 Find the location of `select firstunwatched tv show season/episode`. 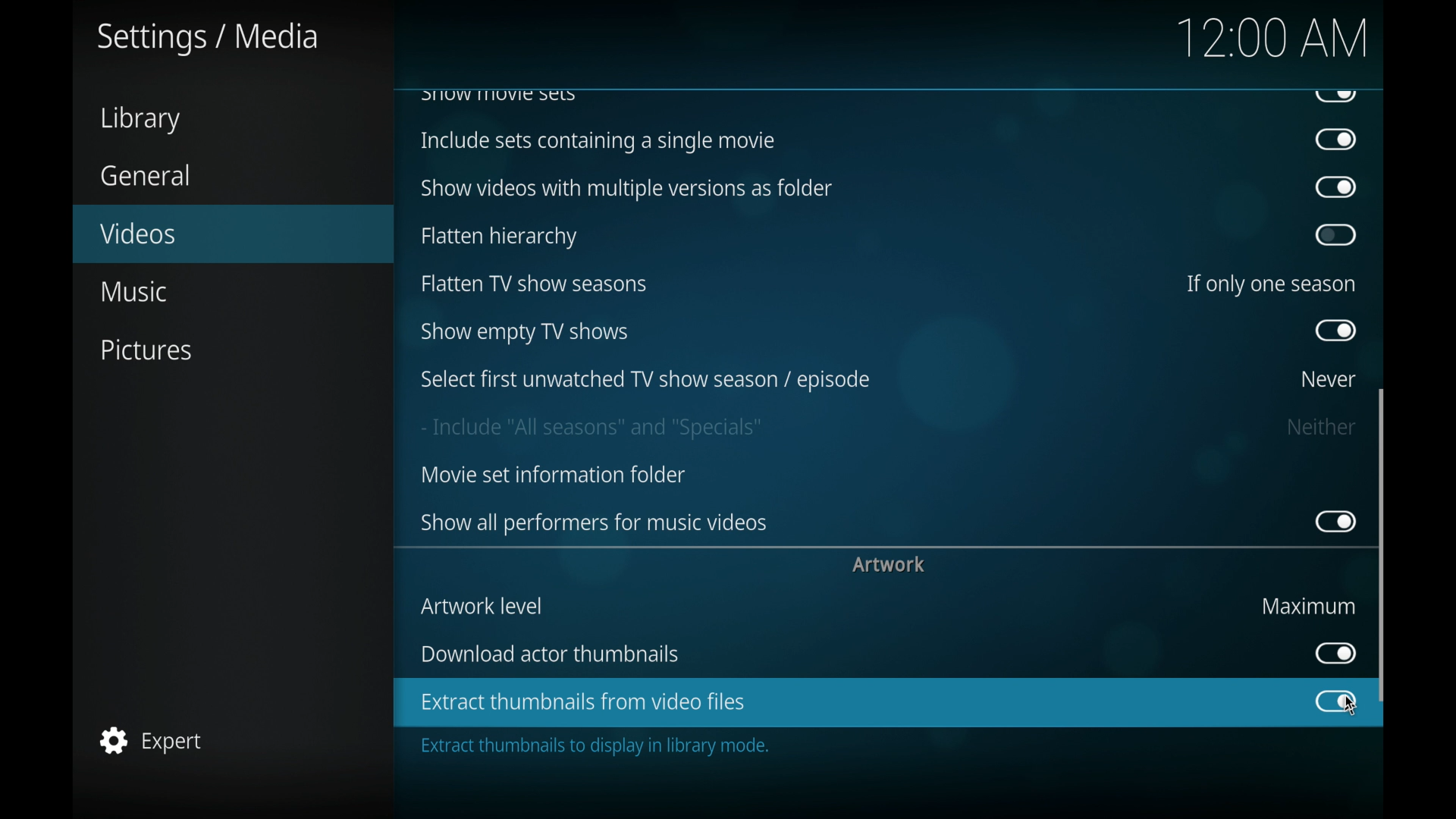

select firstunwatched tv show season/episode is located at coordinates (645, 381).